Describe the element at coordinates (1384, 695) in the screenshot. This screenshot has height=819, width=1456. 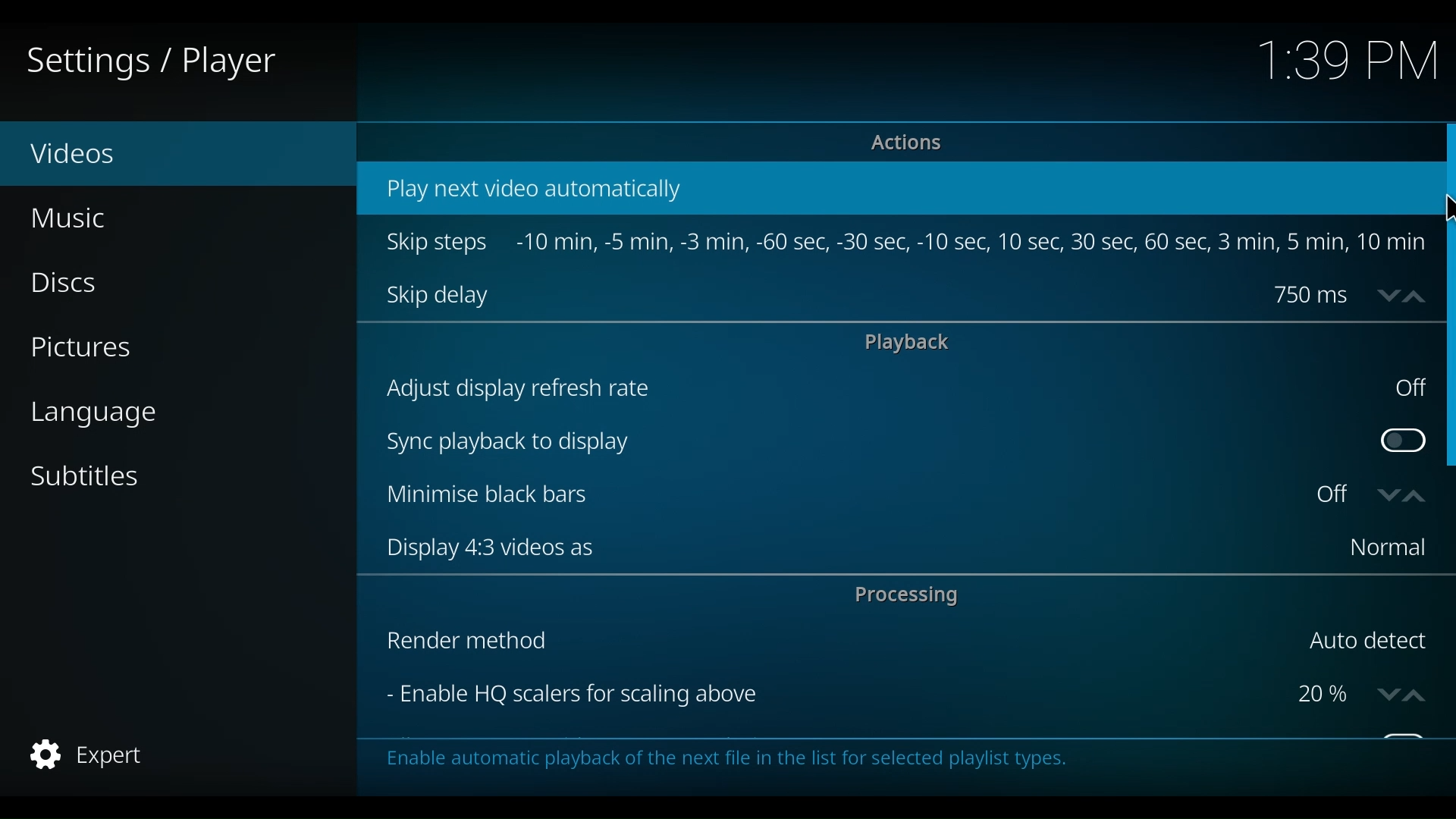
I see `down` at that location.